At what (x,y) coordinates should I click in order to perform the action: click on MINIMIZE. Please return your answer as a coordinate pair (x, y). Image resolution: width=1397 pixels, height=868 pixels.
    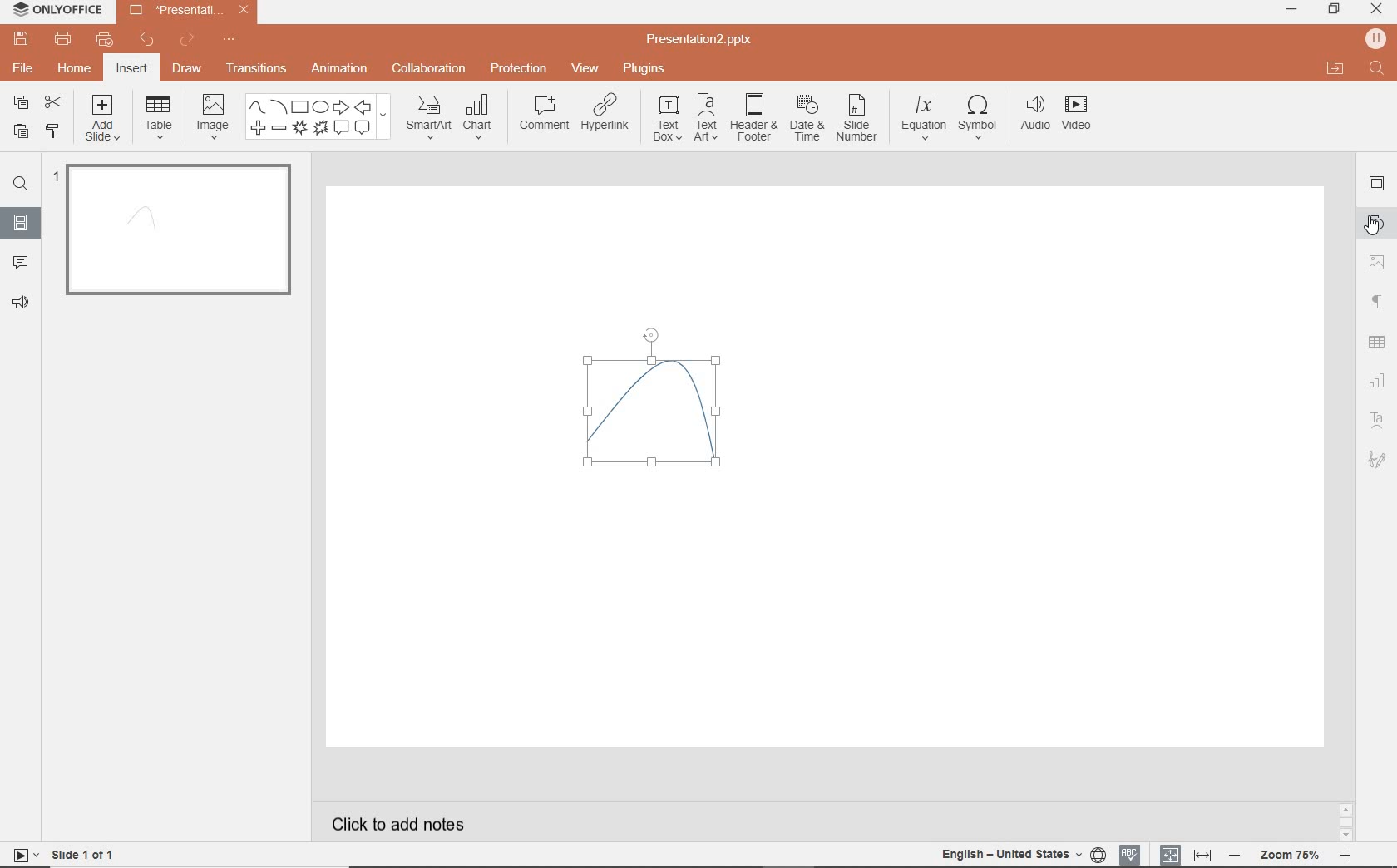
    Looking at the image, I should click on (1291, 10).